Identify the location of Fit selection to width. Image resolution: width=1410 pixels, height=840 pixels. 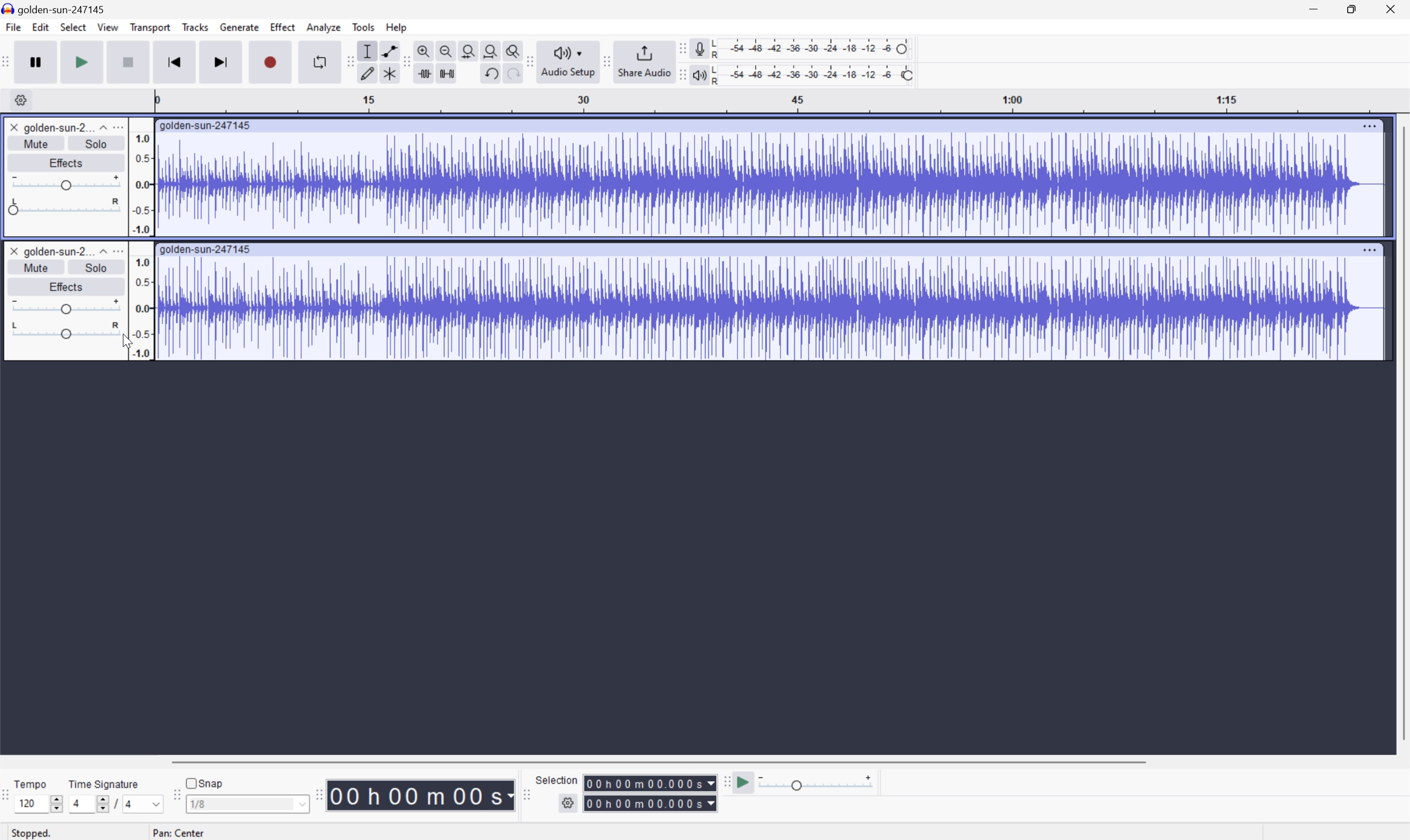
(466, 49).